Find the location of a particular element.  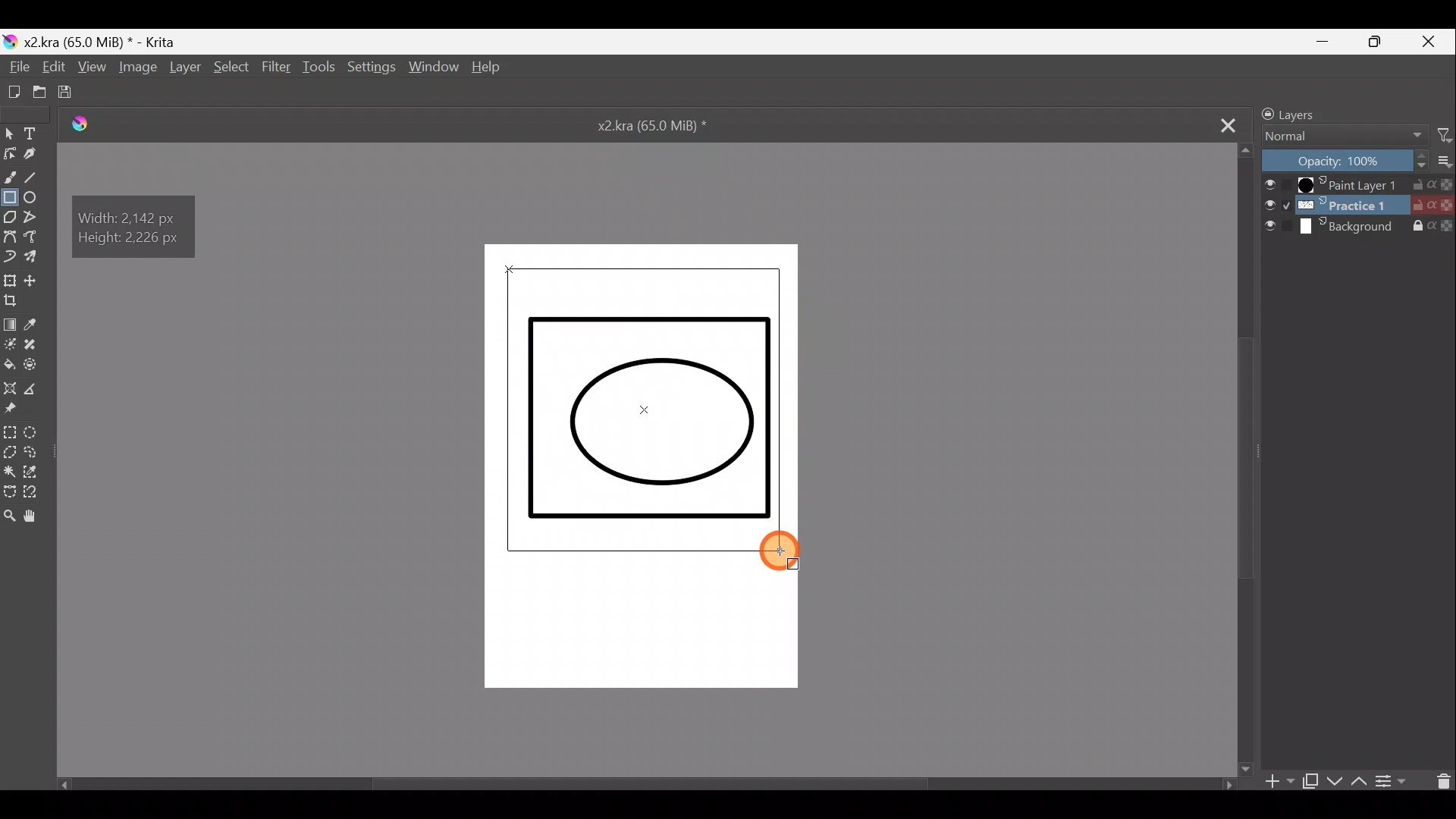

Multibrush tool is located at coordinates (37, 257).